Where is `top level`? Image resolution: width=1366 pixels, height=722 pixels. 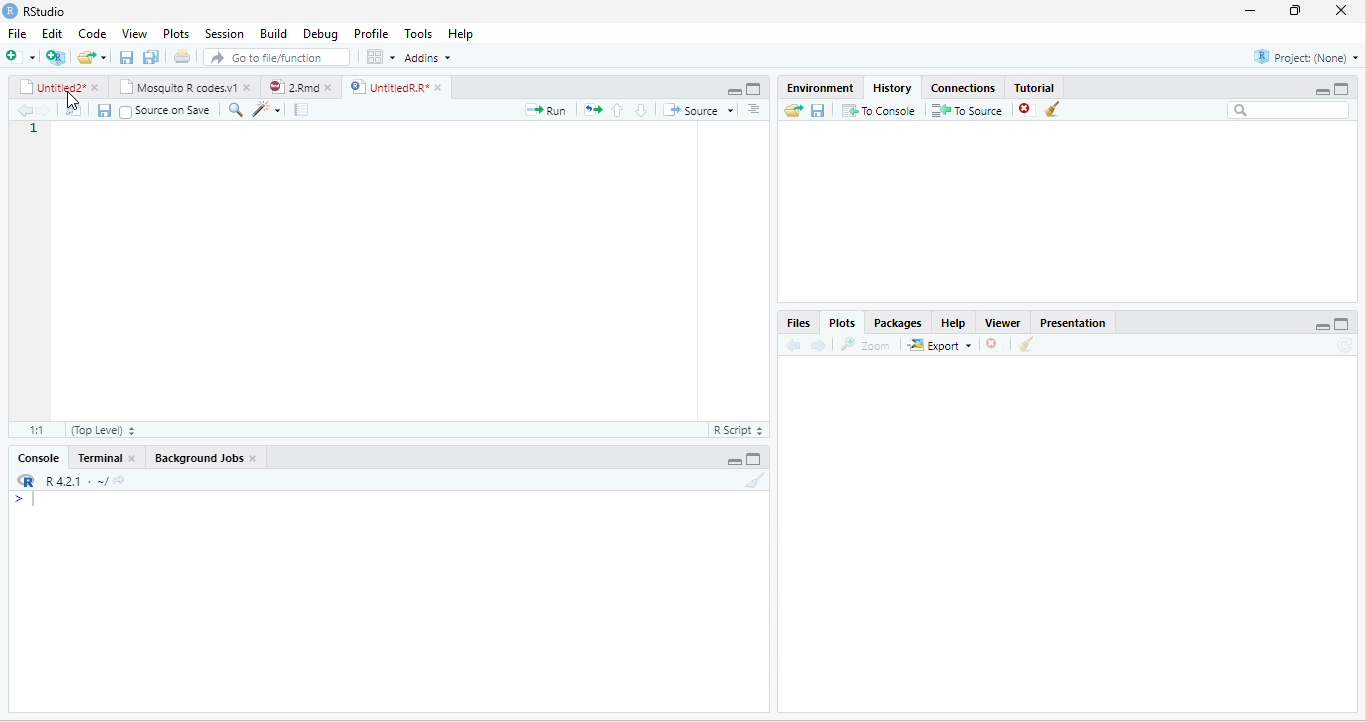
top level is located at coordinates (118, 432).